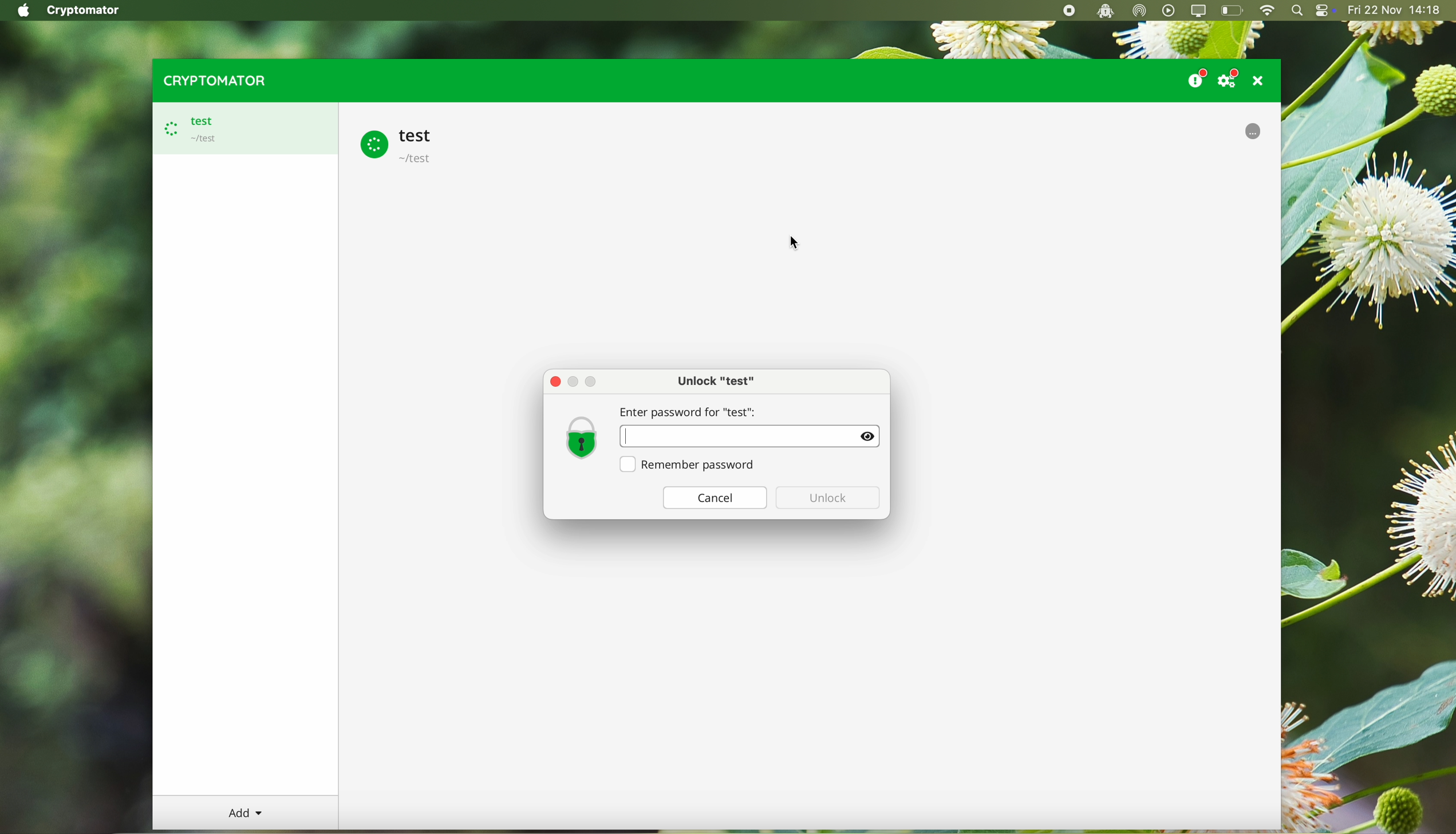 The image size is (1456, 834). What do you see at coordinates (739, 413) in the screenshot?
I see `enter password for "test":` at bounding box center [739, 413].